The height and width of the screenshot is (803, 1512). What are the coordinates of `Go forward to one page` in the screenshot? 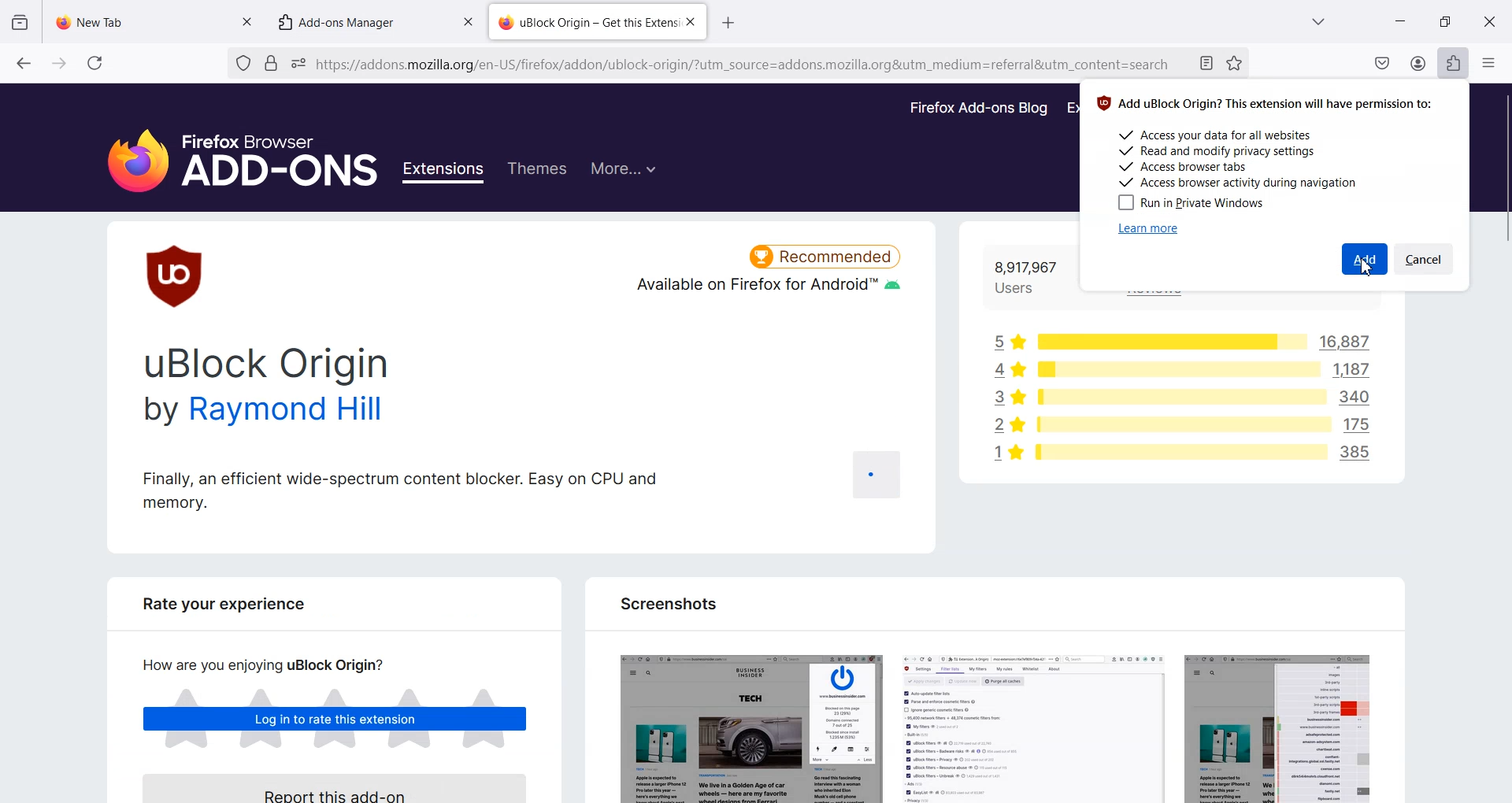 It's located at (58, 62).